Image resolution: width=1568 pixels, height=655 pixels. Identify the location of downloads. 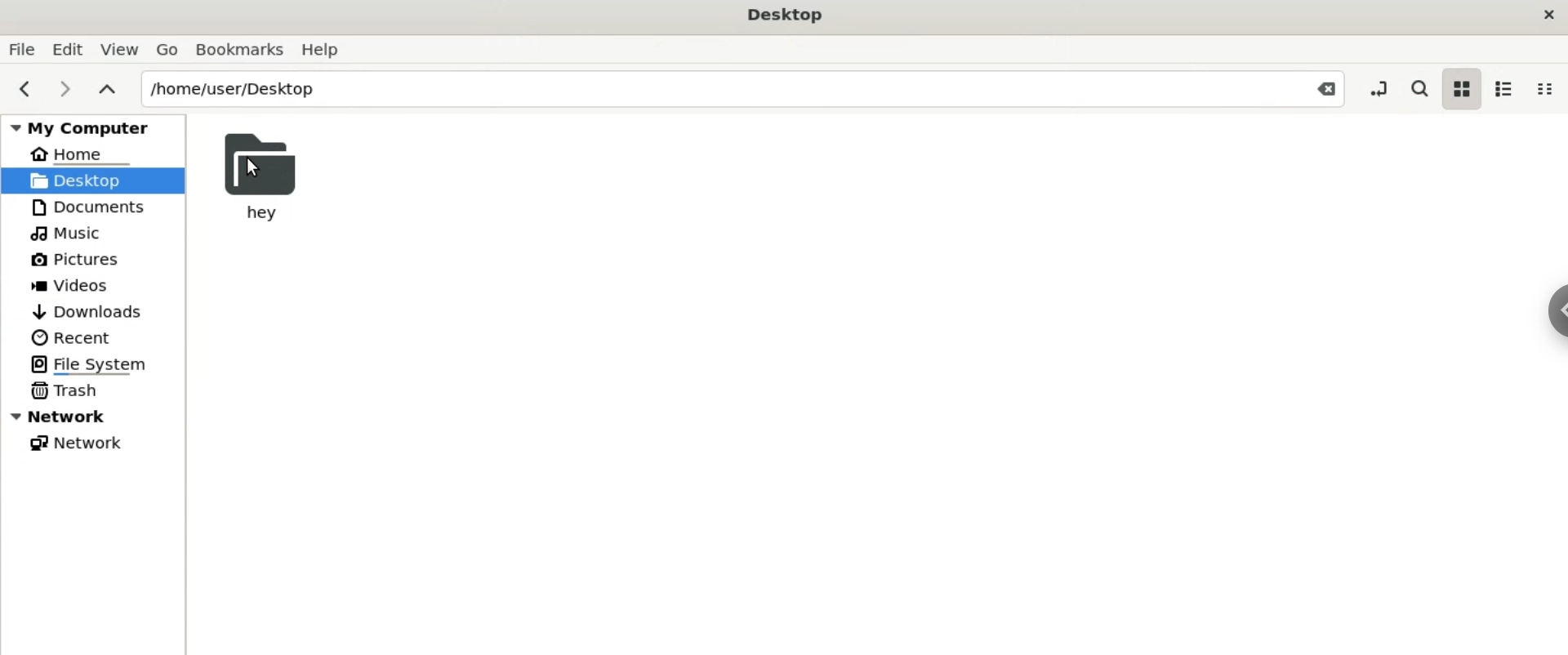
(87, 312).